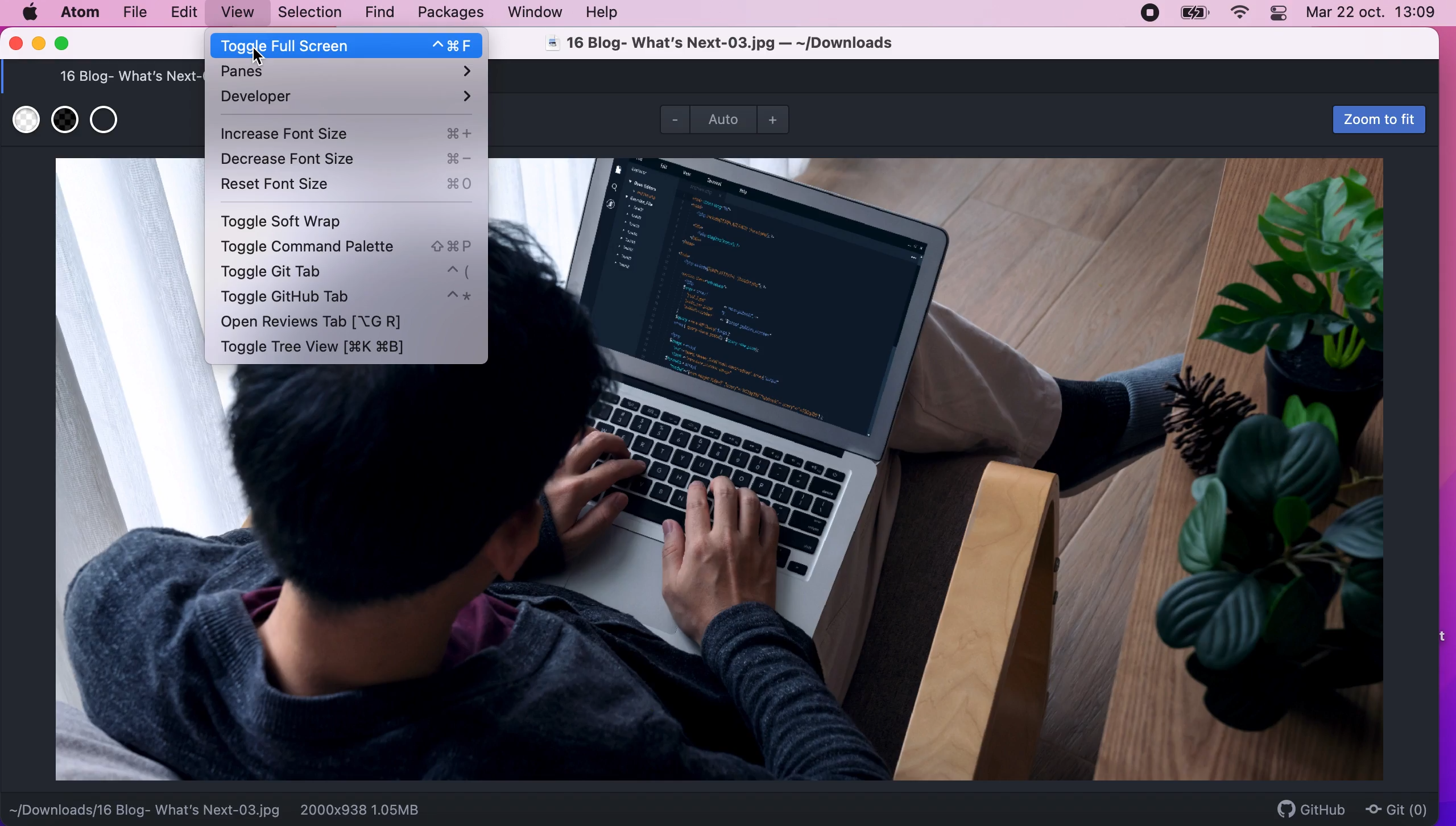 Image resolution: width=1456 pixels, height=826 pixels. I want to click on maximize, so click(68, 43).